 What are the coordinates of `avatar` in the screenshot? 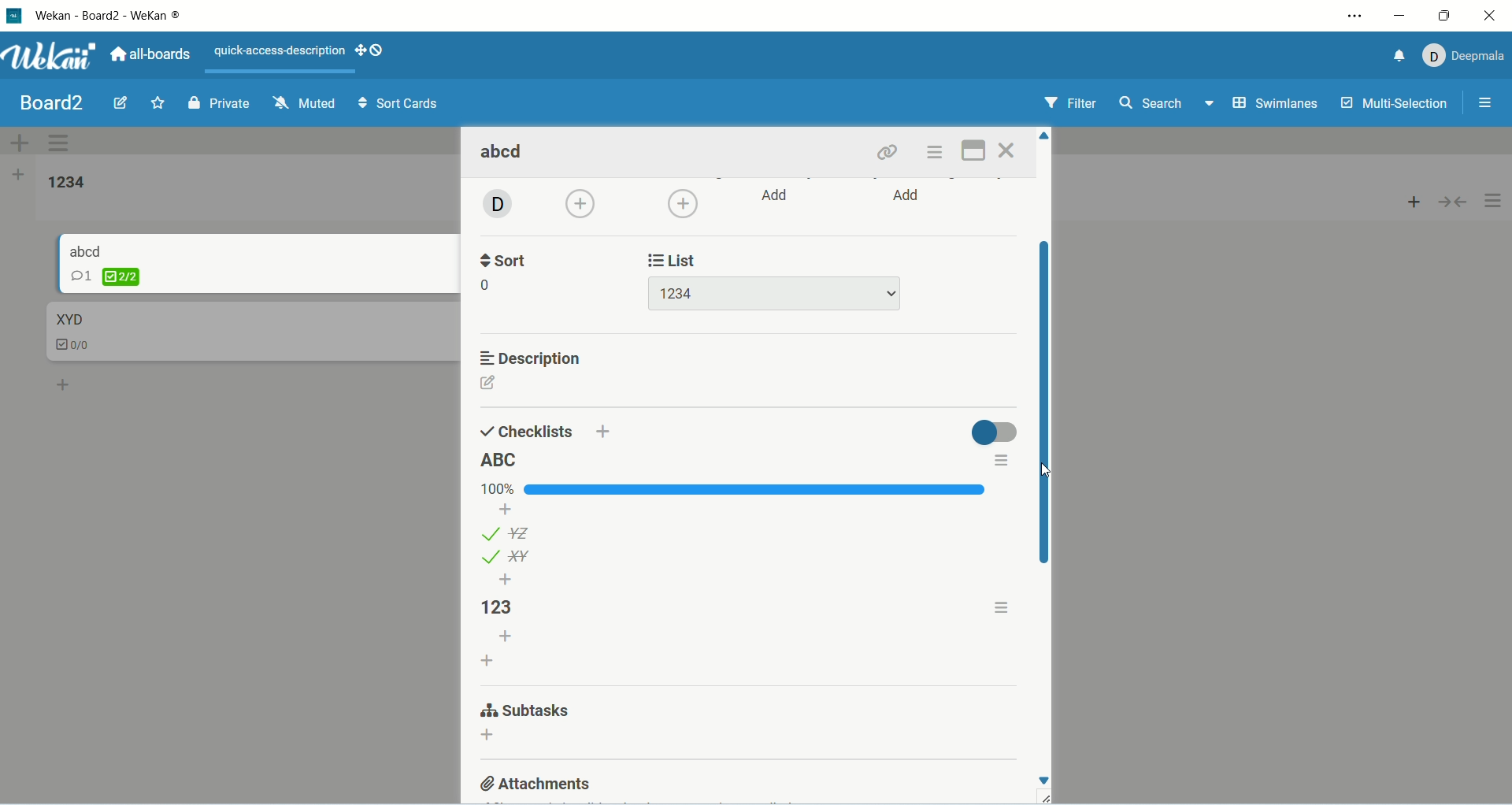 It's located at (495, 206).